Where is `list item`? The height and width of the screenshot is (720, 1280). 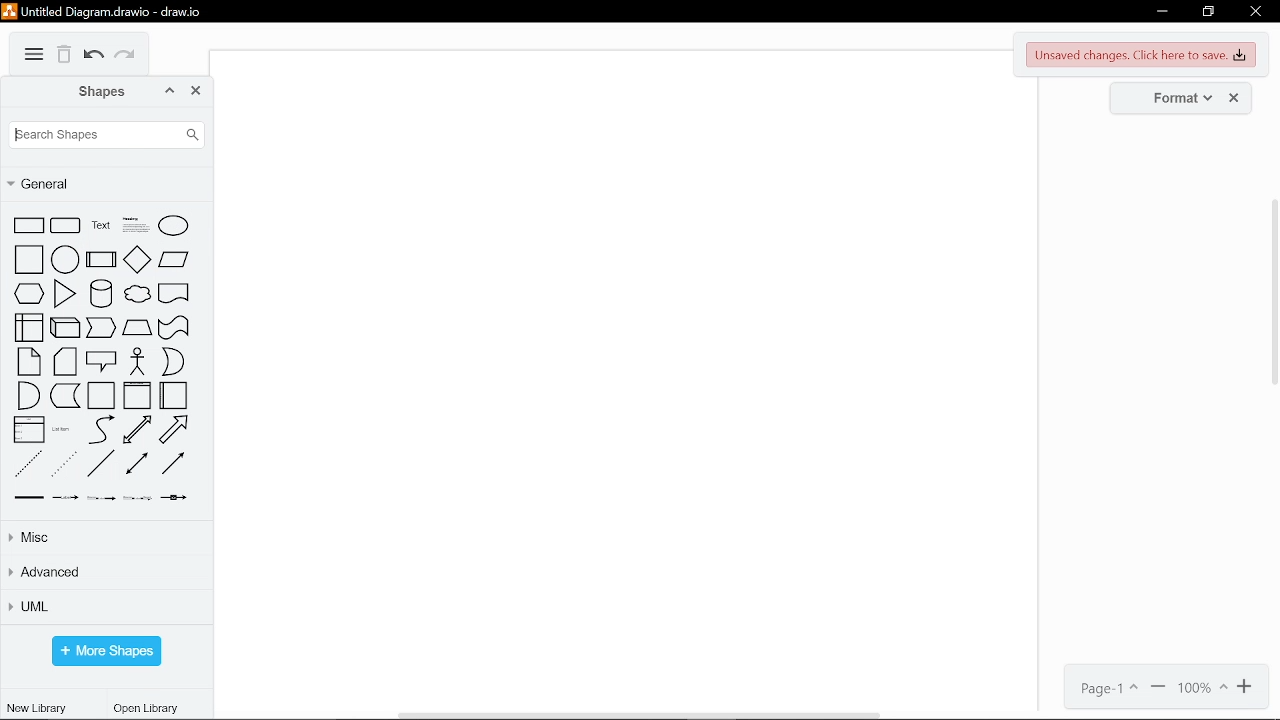
list item is located at coordinates (63, 433).